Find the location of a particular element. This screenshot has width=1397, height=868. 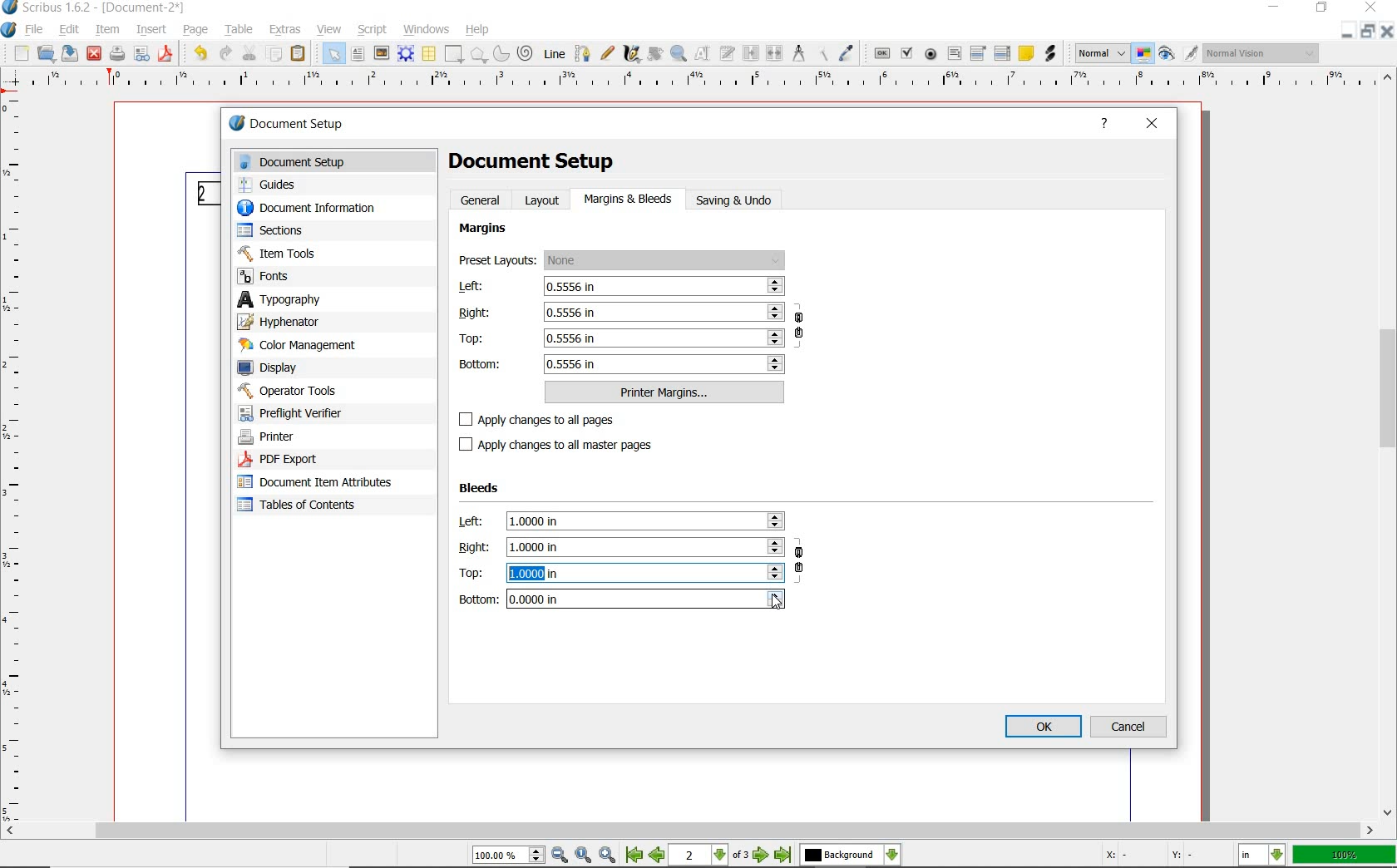

2 of 3 is located at coordinates (711, 856).